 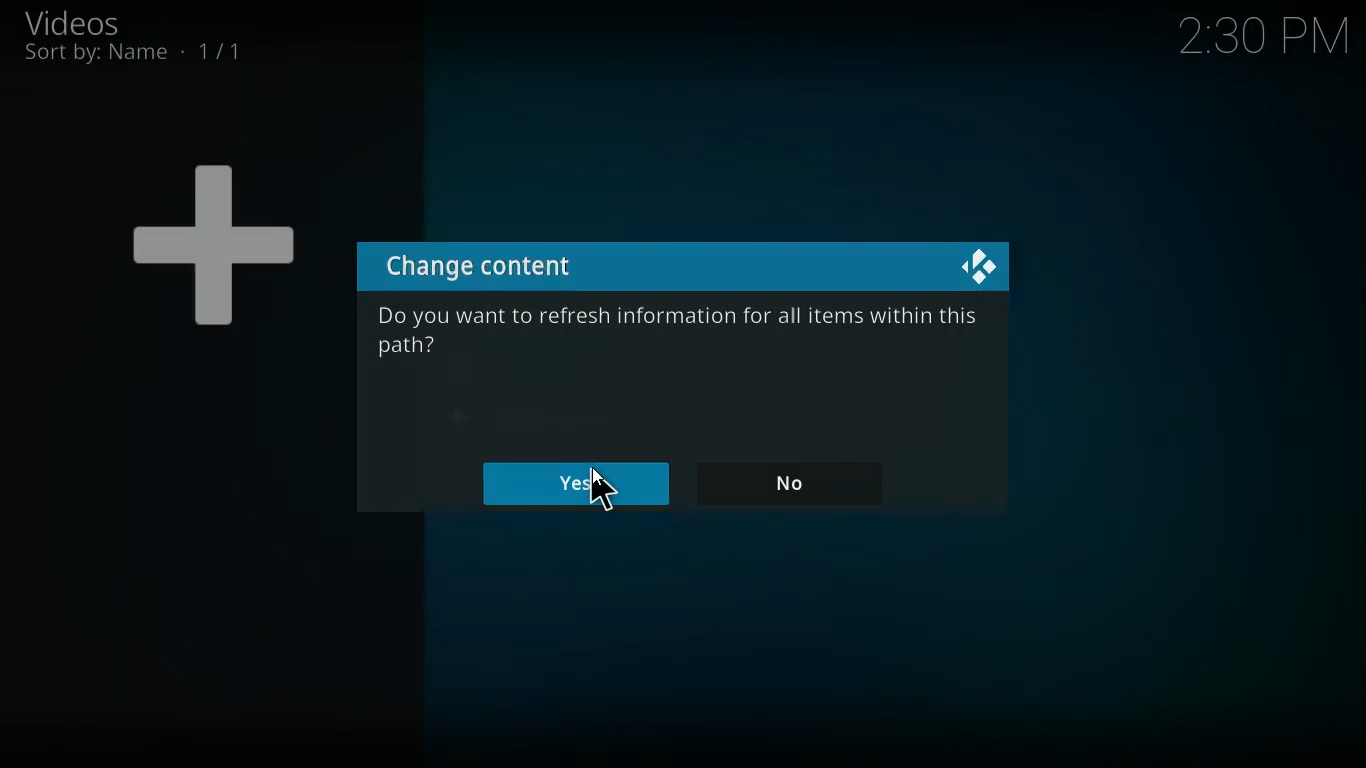 I want to click on videos, so click(x=96, y=22).